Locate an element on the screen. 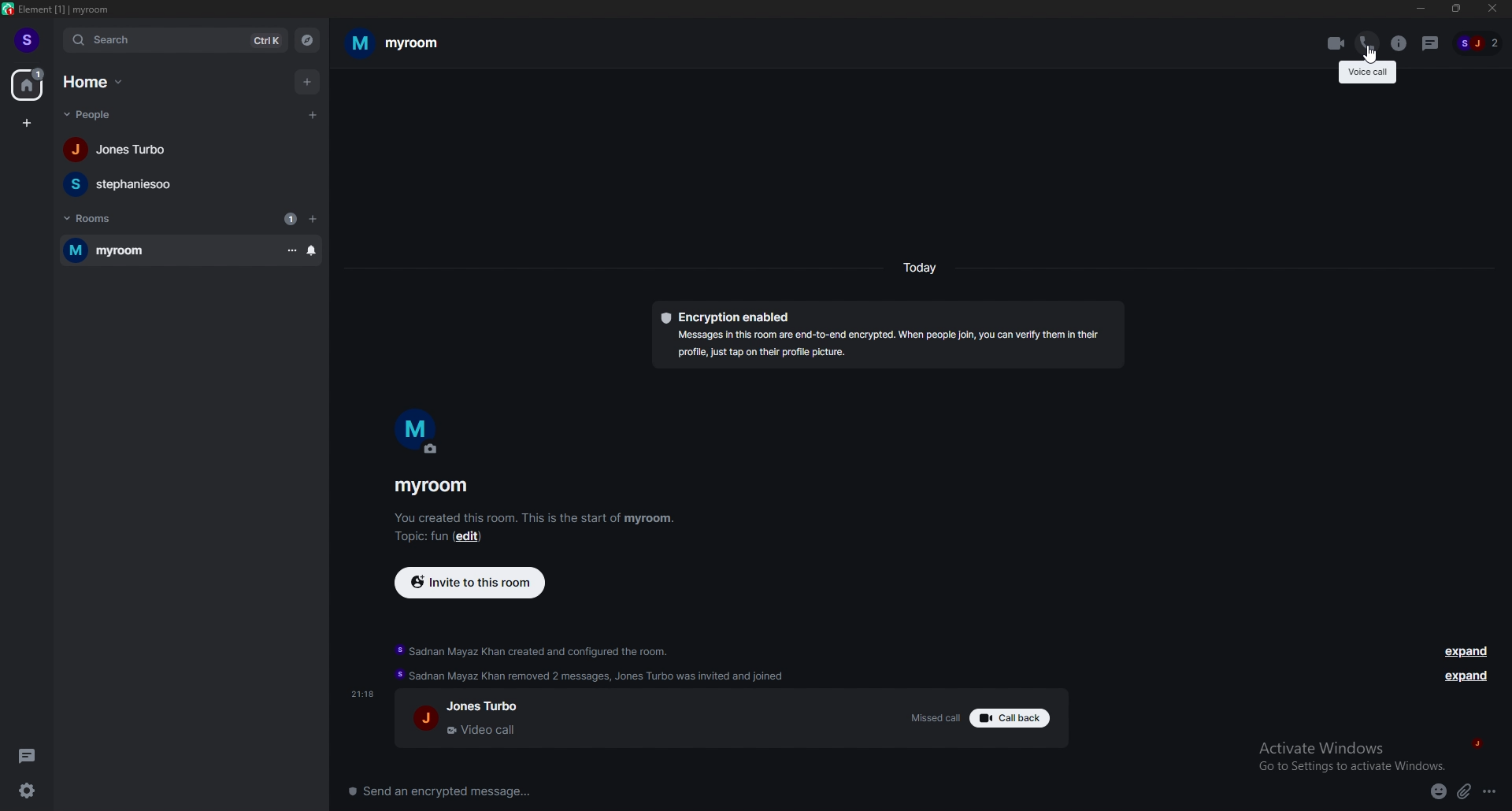 The width and height of the screenshot is (1512, 811). notification options is located at coordinates (314, 252).